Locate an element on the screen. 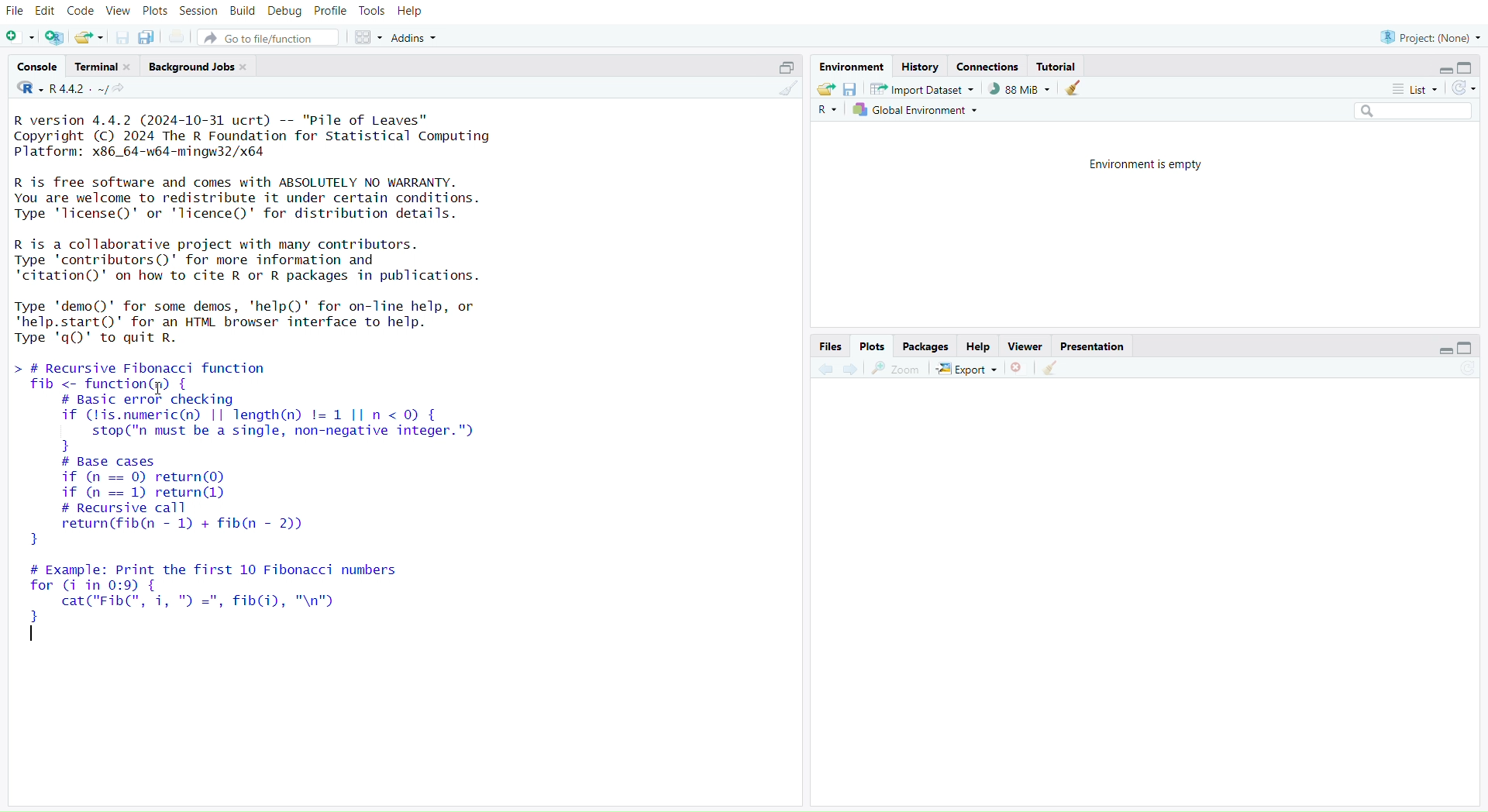 This screenshot has height=812, width=1488. packages is located at coordinates (928, 347).